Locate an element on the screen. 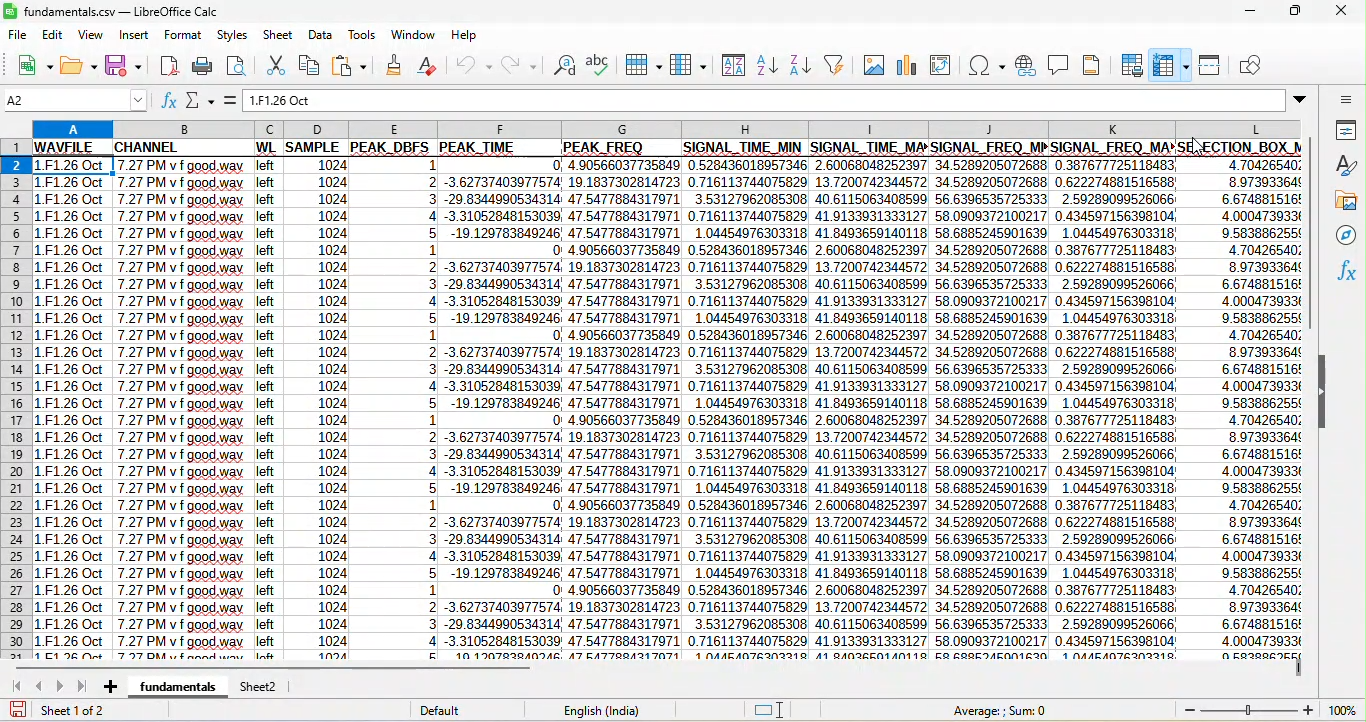 The image size is (1366, 722). zoom is located at coordinates (1265, 710).